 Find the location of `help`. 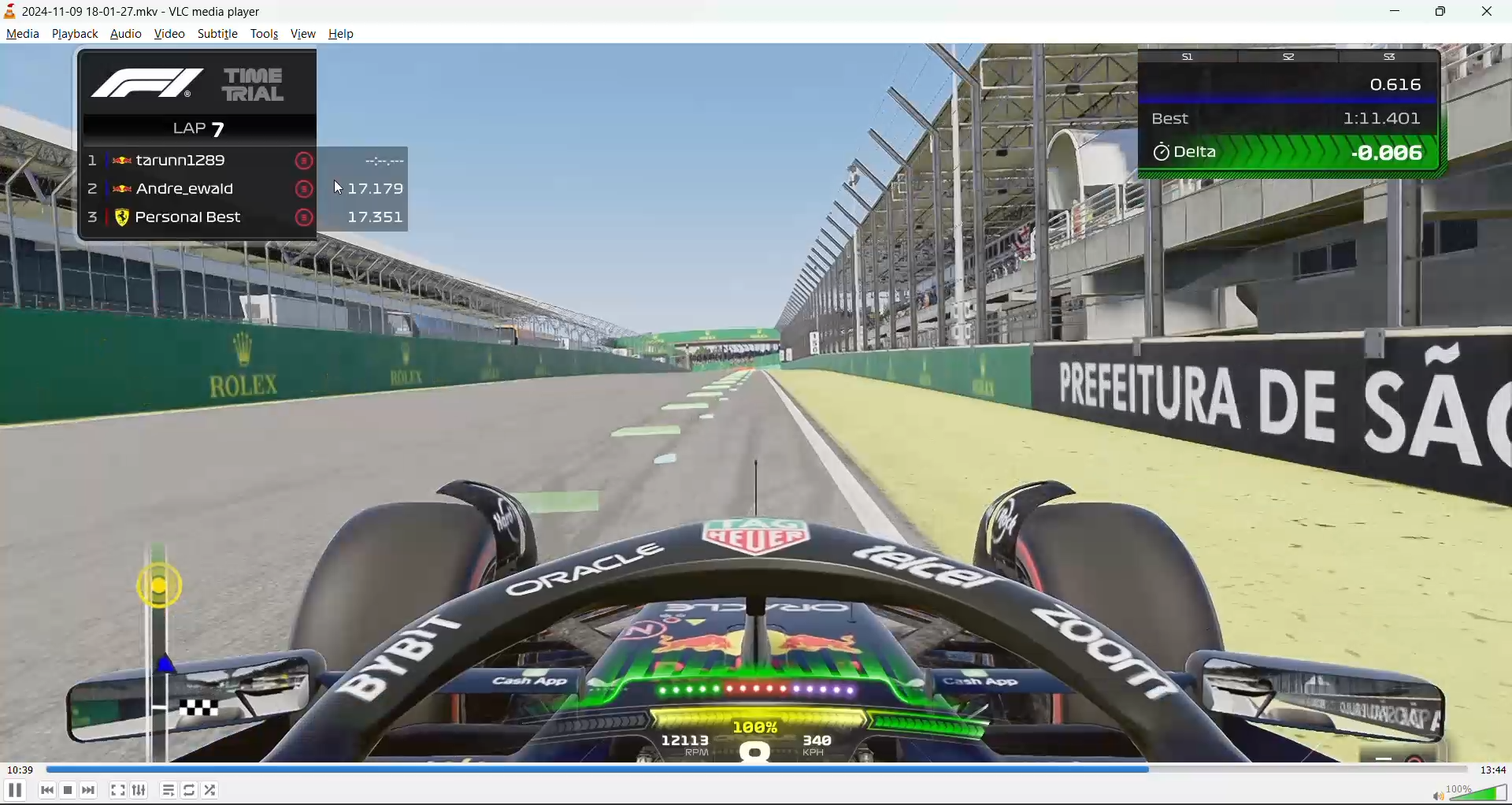

help is located at coordinates (339, 33).